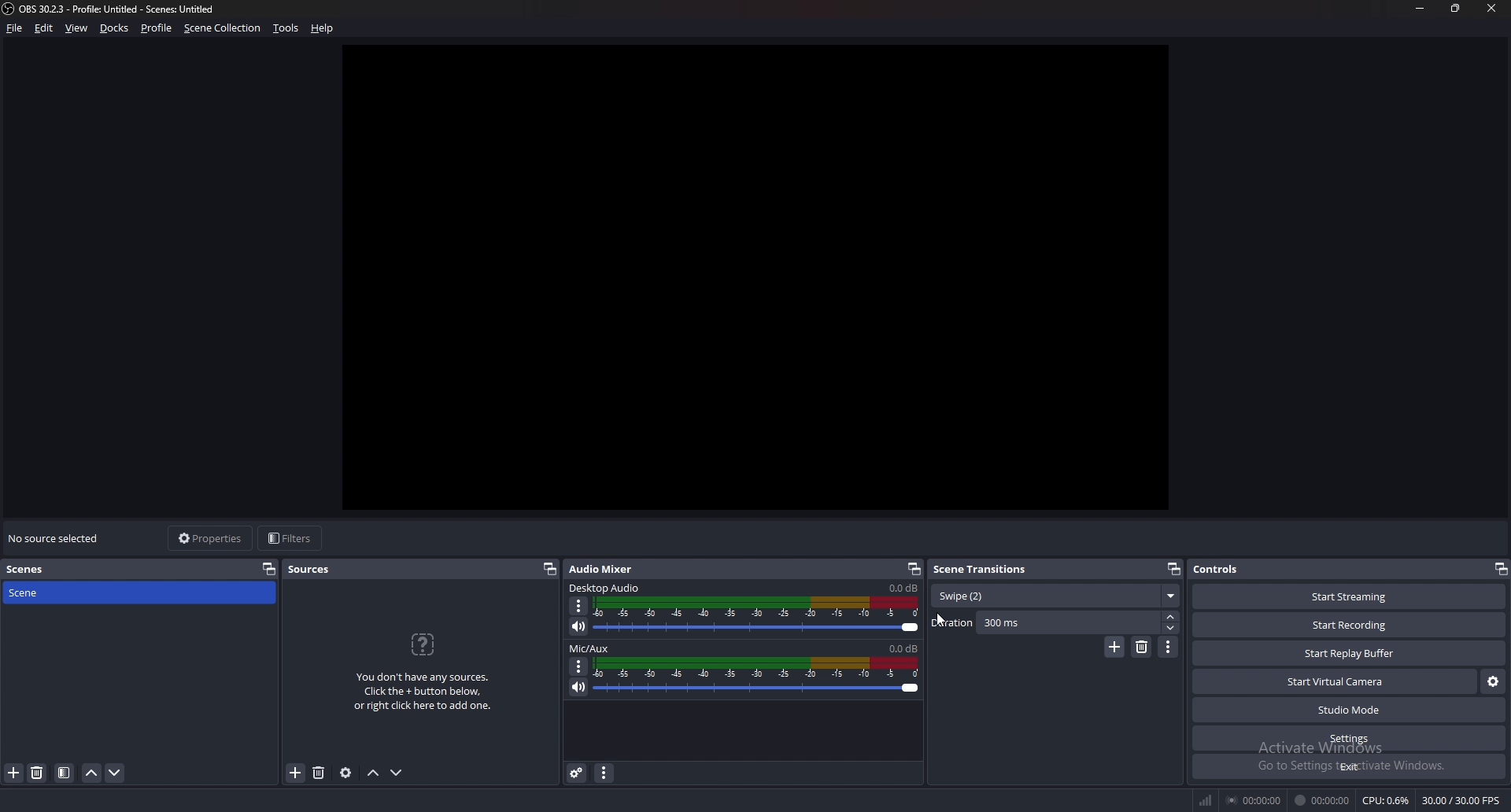 This screenshot has height=812, width=1511. What do you see at coordinates (1045, 622) in the screenshot?
I see `duration` at bounding box center [1045, 622].